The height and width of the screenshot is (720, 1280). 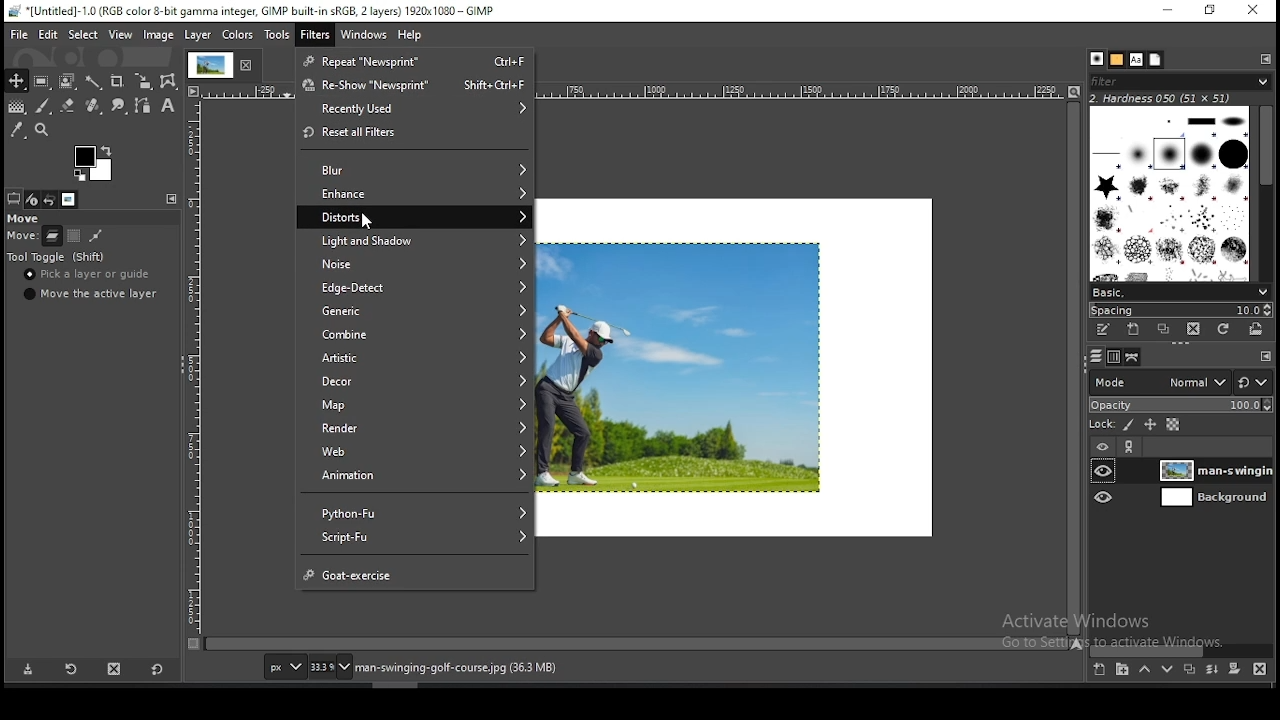 I want to click on combine, so click(x=413, y=334).